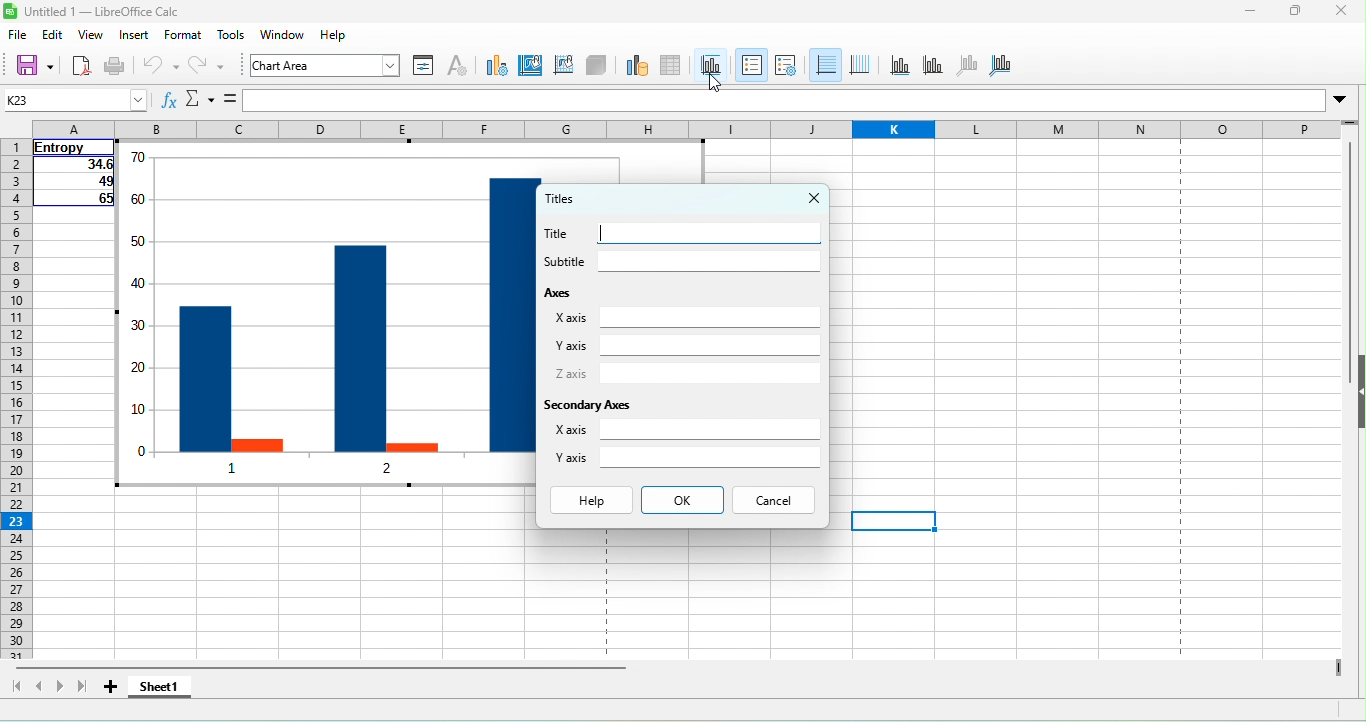  Describe the element at coordinates (216, 68) in the screenshot. I see `redo` at that location.